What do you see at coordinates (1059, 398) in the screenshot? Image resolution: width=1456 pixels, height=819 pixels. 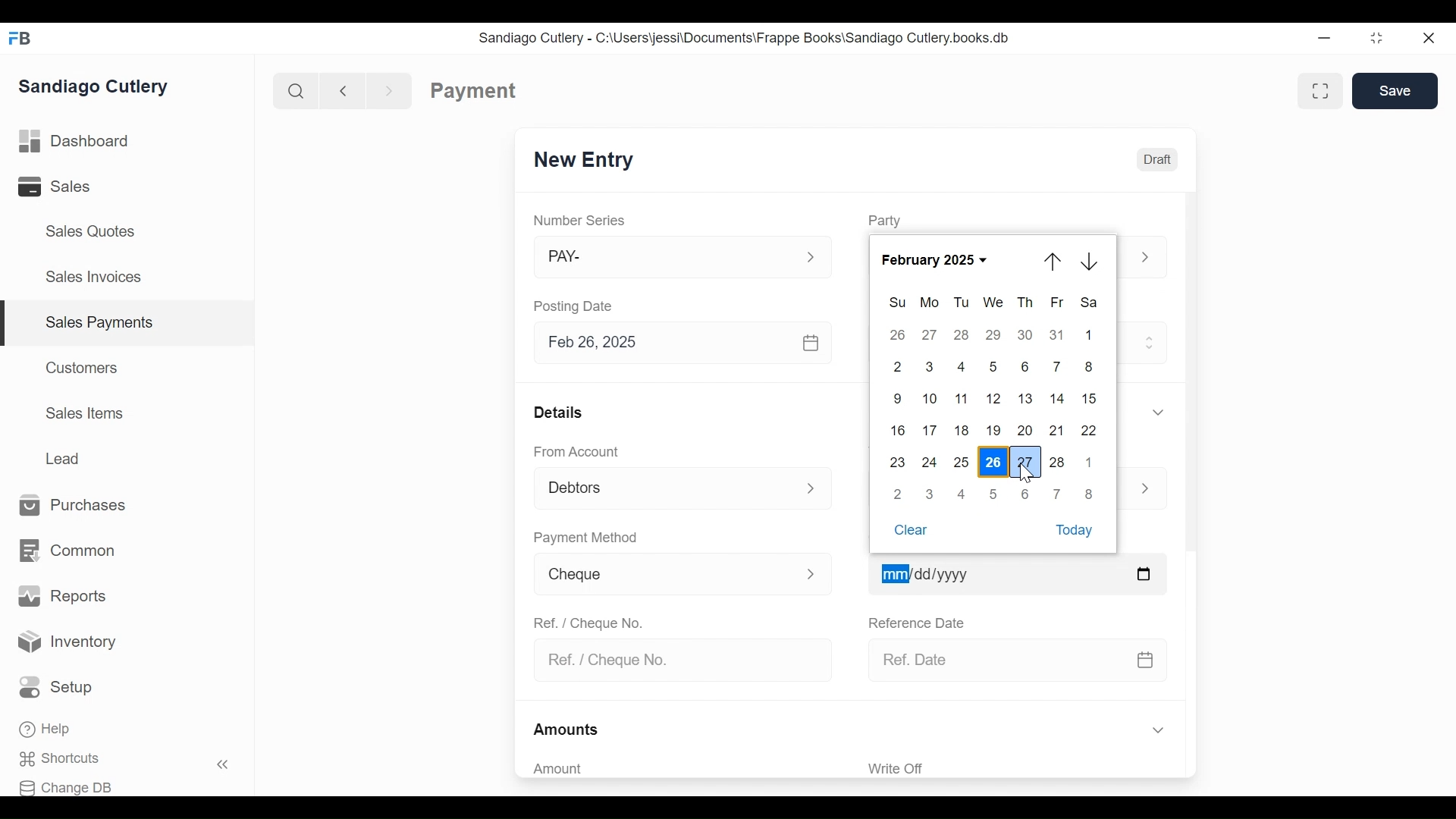 I see `14` at bounding box center [1059, 398].